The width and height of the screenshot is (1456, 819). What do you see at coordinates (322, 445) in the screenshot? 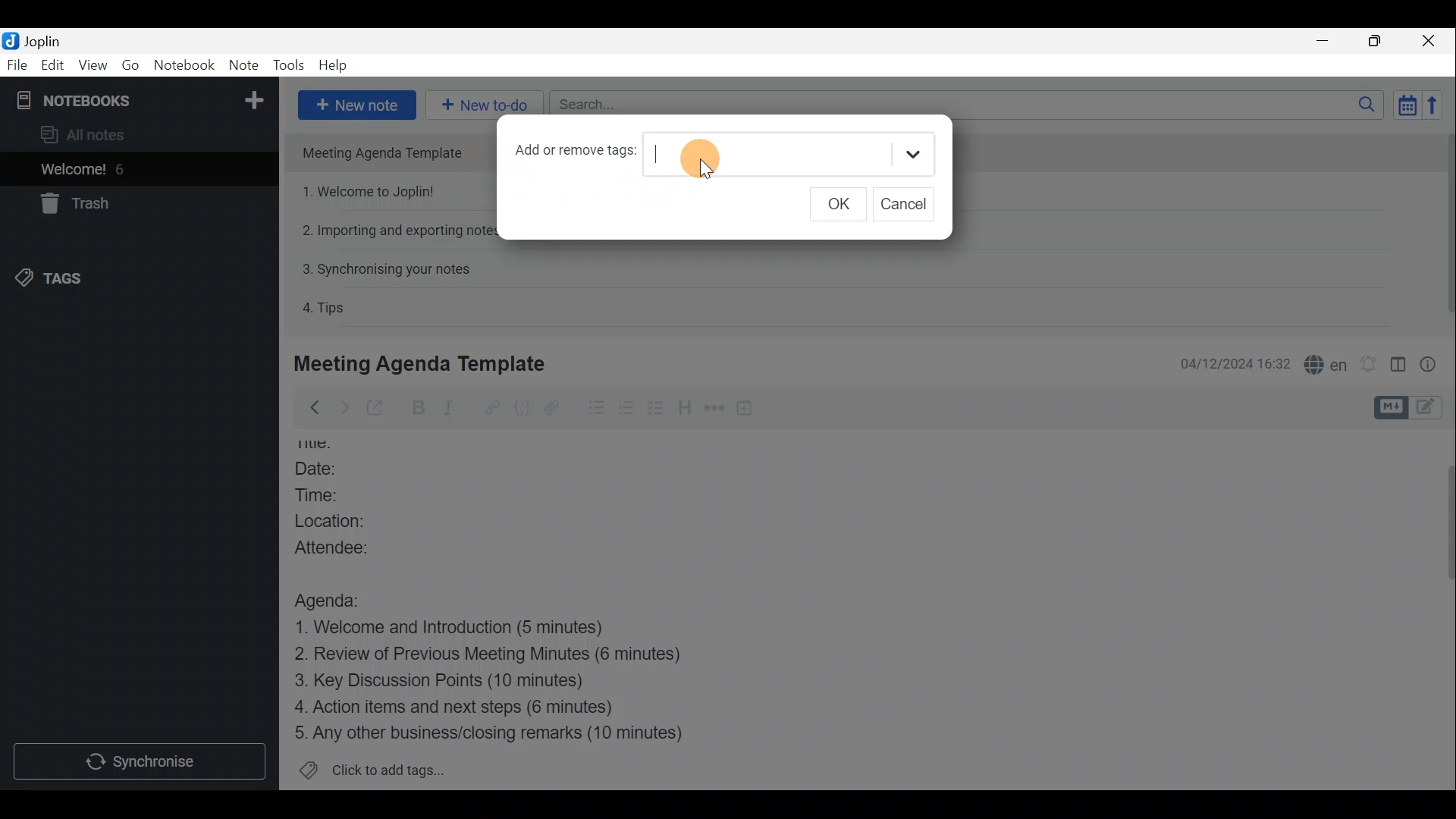
I see `` at bounding box center [322, 445].